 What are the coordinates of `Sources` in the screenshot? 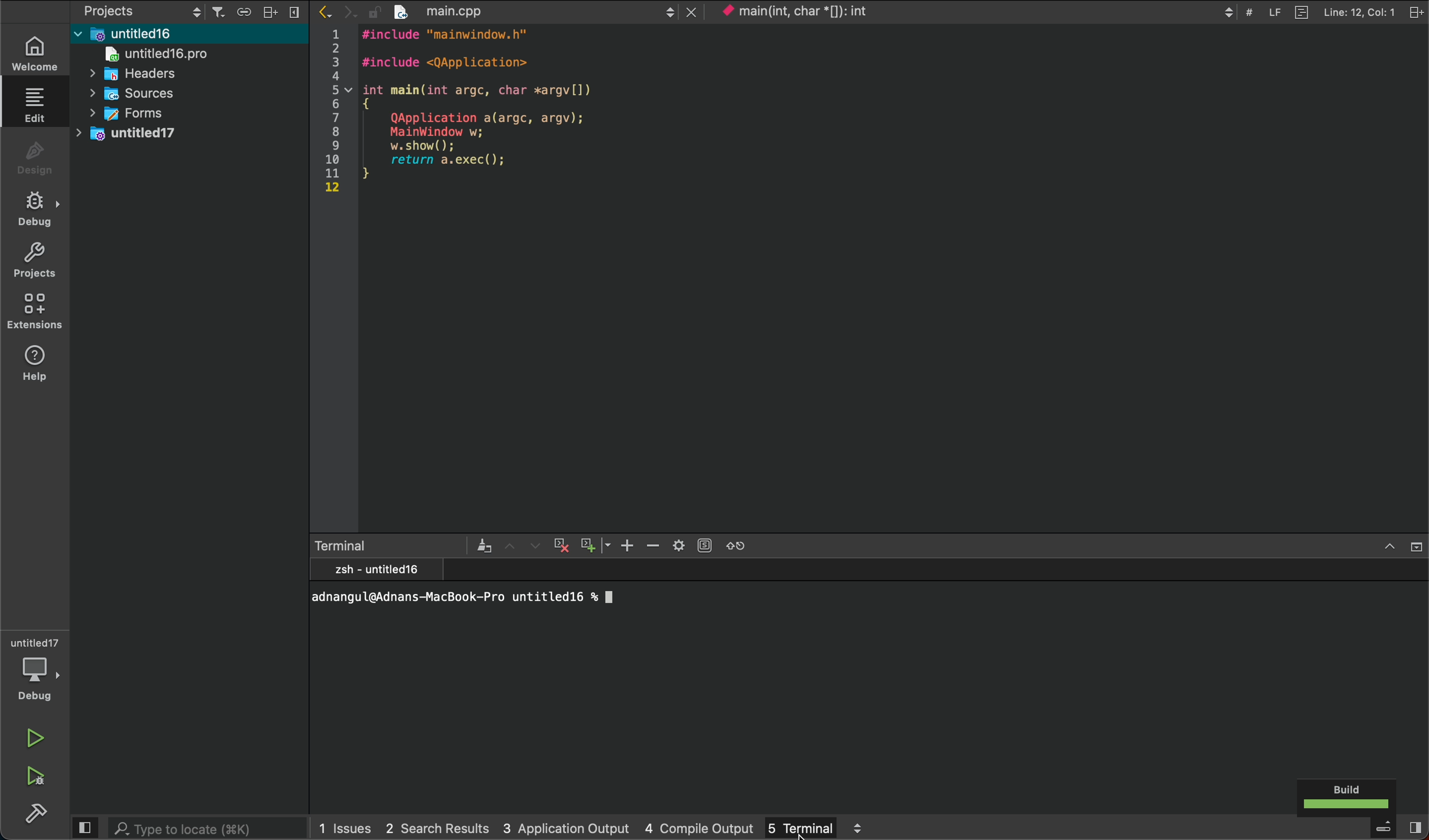 It's located at (149, 92).